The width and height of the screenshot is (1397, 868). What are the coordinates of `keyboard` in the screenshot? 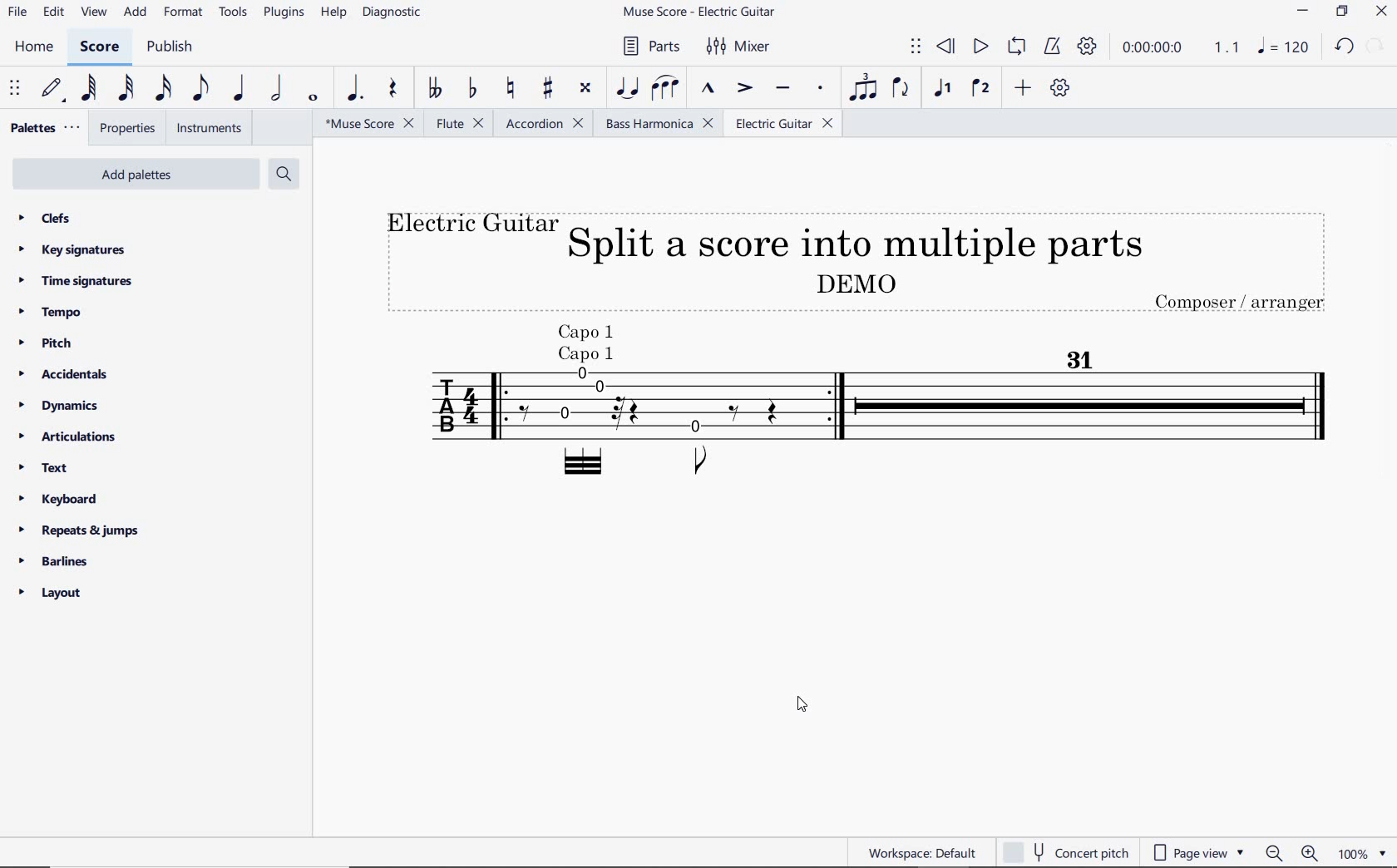 It's located at (60, 501).